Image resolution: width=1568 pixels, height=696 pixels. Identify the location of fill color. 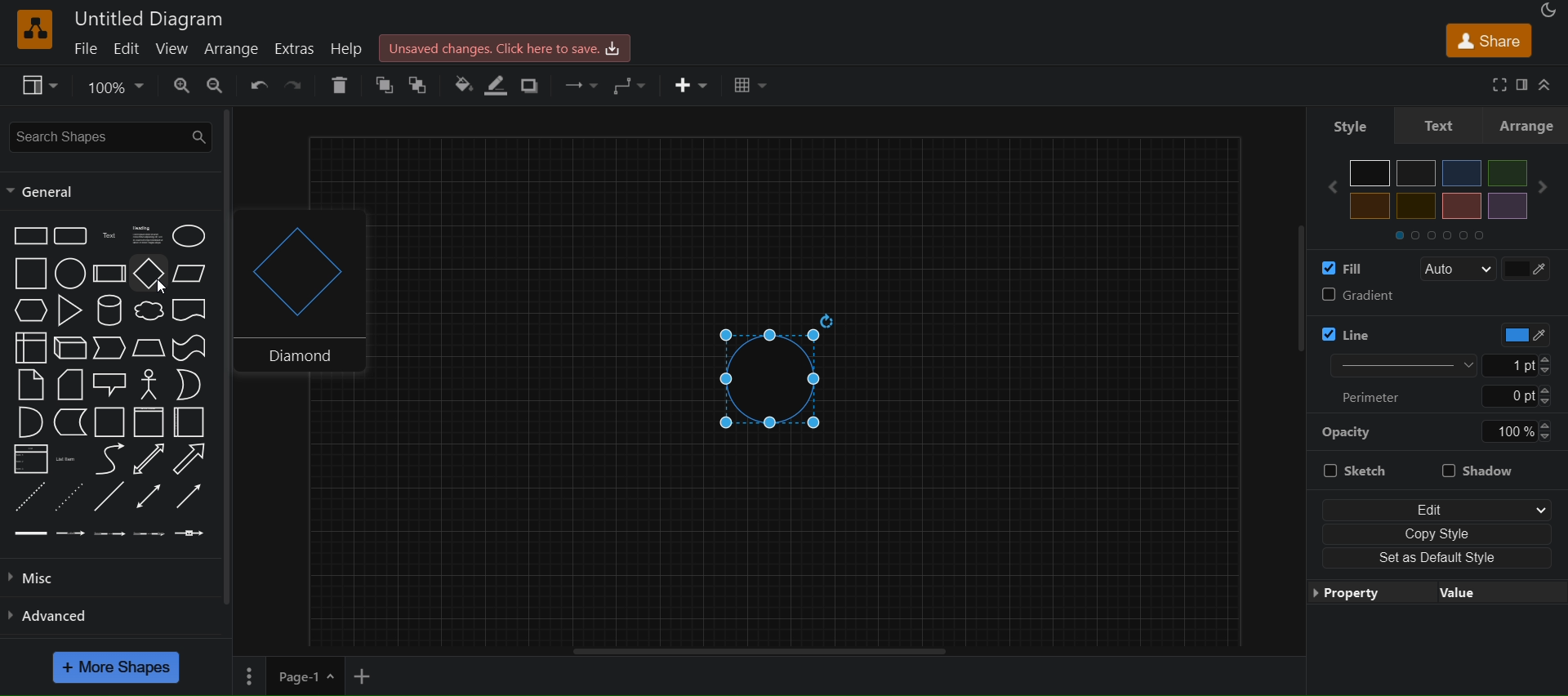
(1338, 265).